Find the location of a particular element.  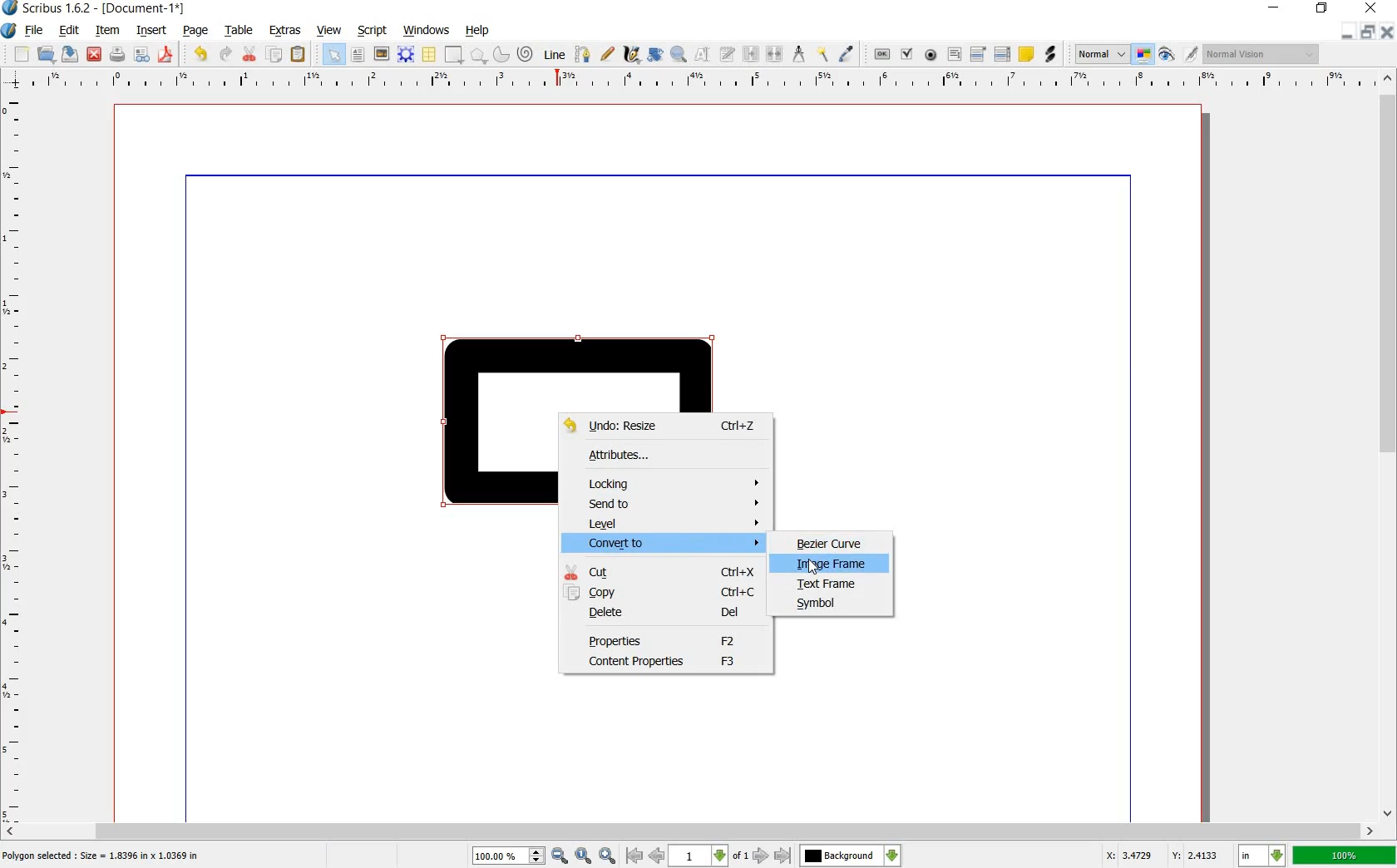

edit is located at coordinates (68, 31).